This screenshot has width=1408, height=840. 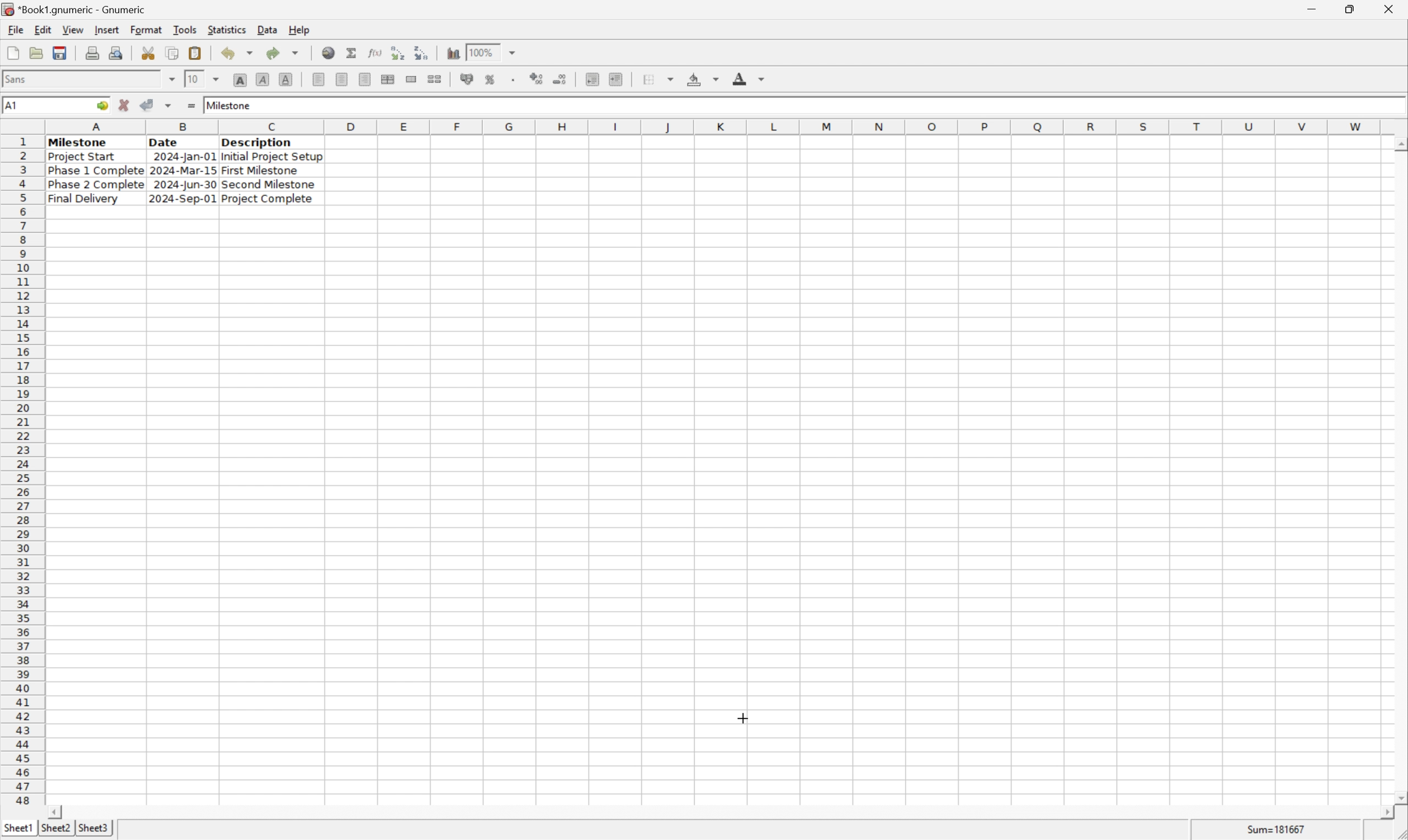 What do you see at coordinates (128, 106) in the screenshot?
I see `cancel changes` at bounding box center [128, 106].